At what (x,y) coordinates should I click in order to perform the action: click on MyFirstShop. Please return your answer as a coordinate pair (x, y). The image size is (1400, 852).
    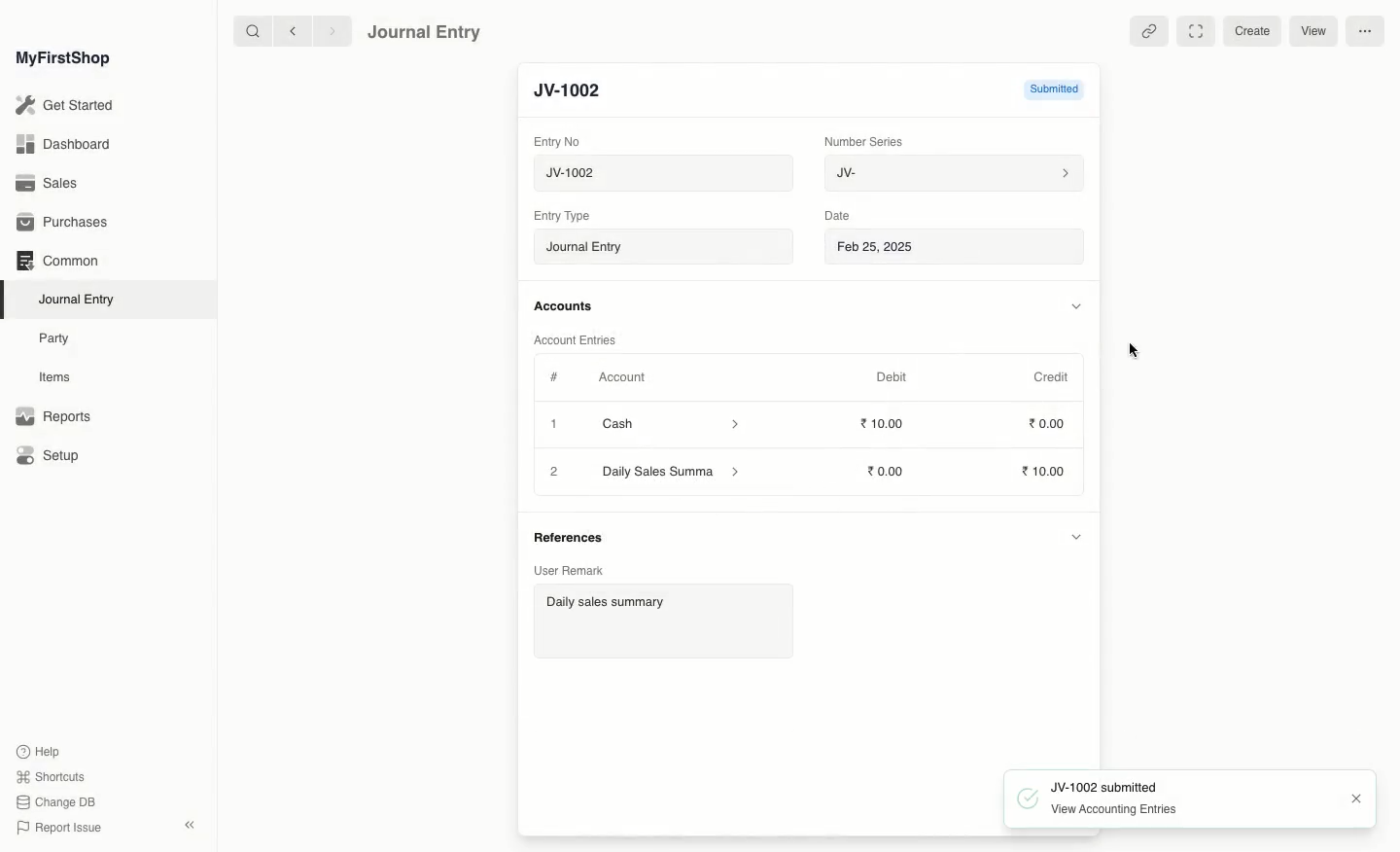
    Looking at the image, I should click on (61, 59).